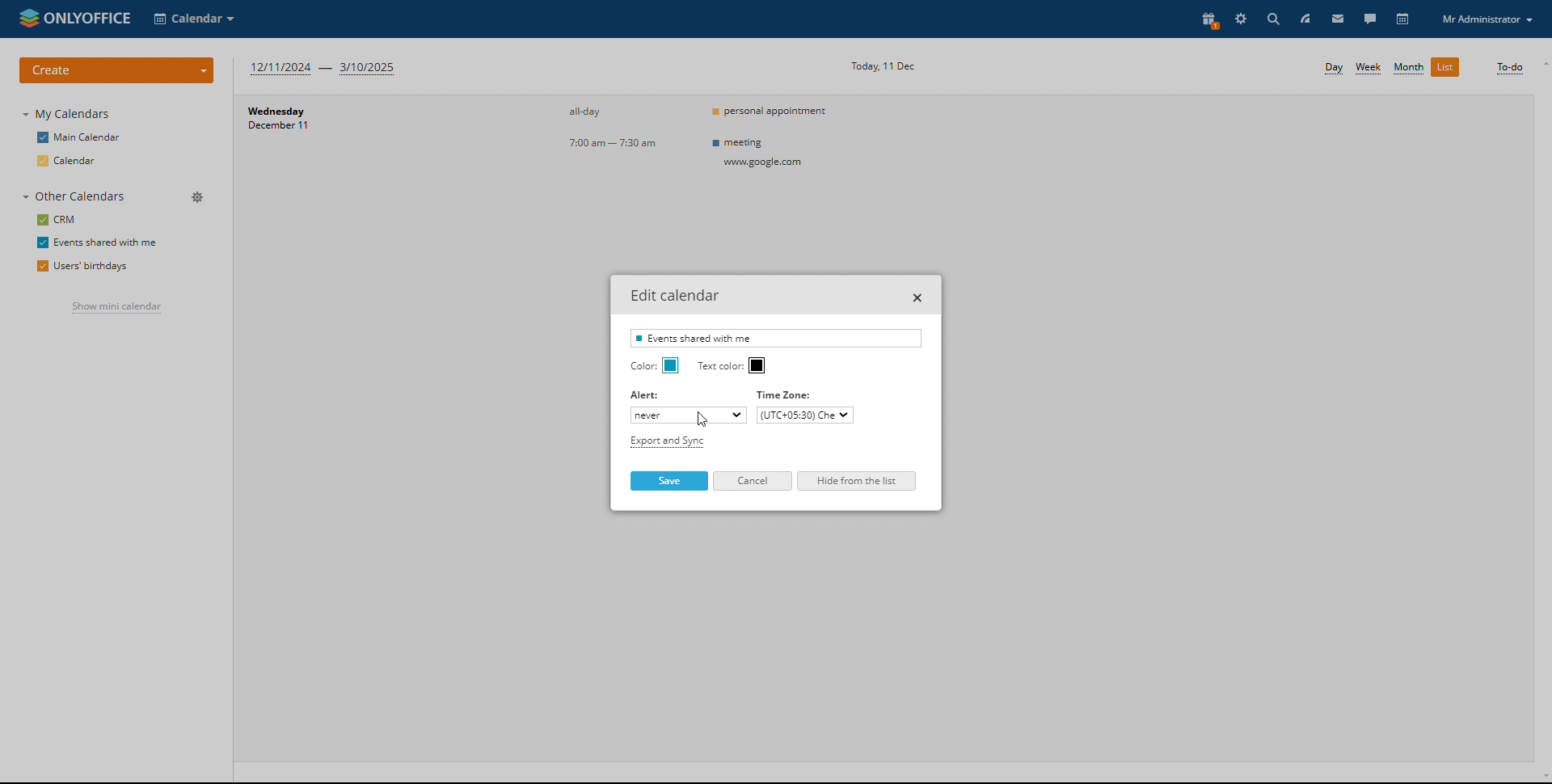 This screenshot has height=784, width=1552. What do you see at coordinates (1304, 19) in the screenshot?
I see `feed` at bounding box center [1304, 19].